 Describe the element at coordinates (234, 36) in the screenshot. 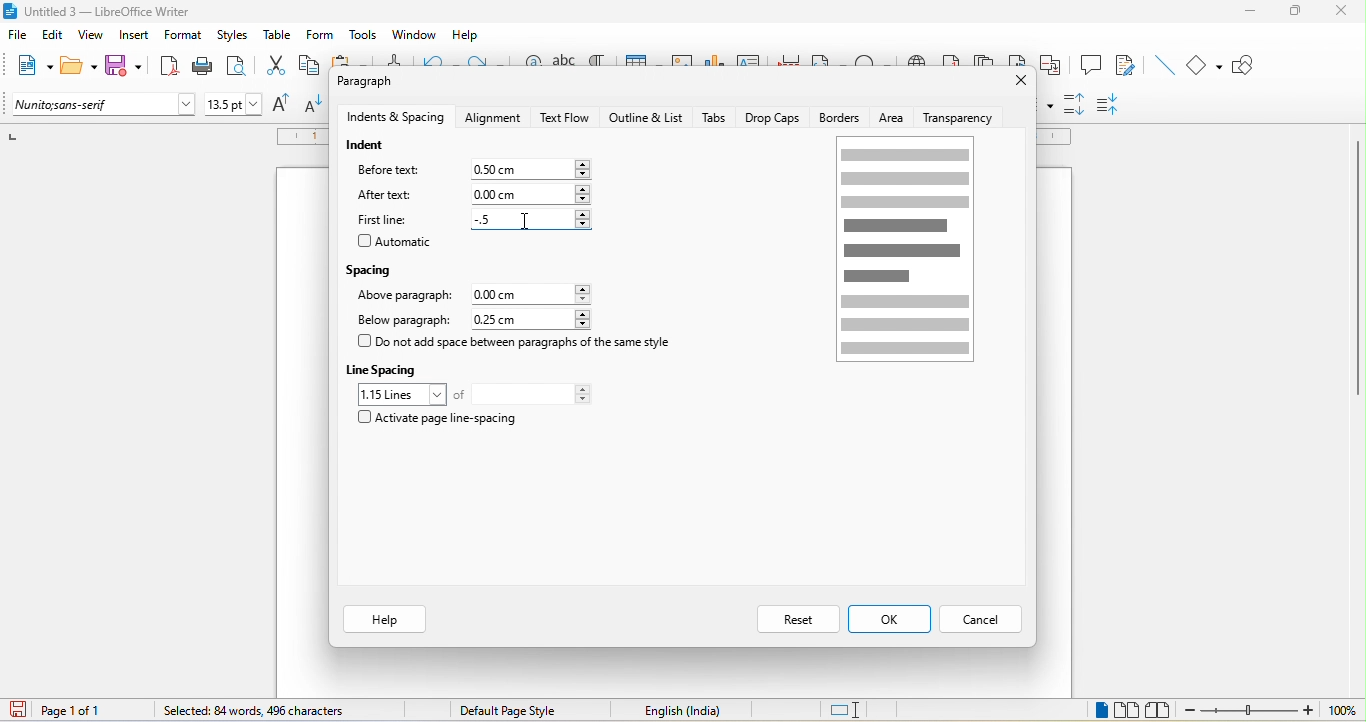

I see `styles` at that location.